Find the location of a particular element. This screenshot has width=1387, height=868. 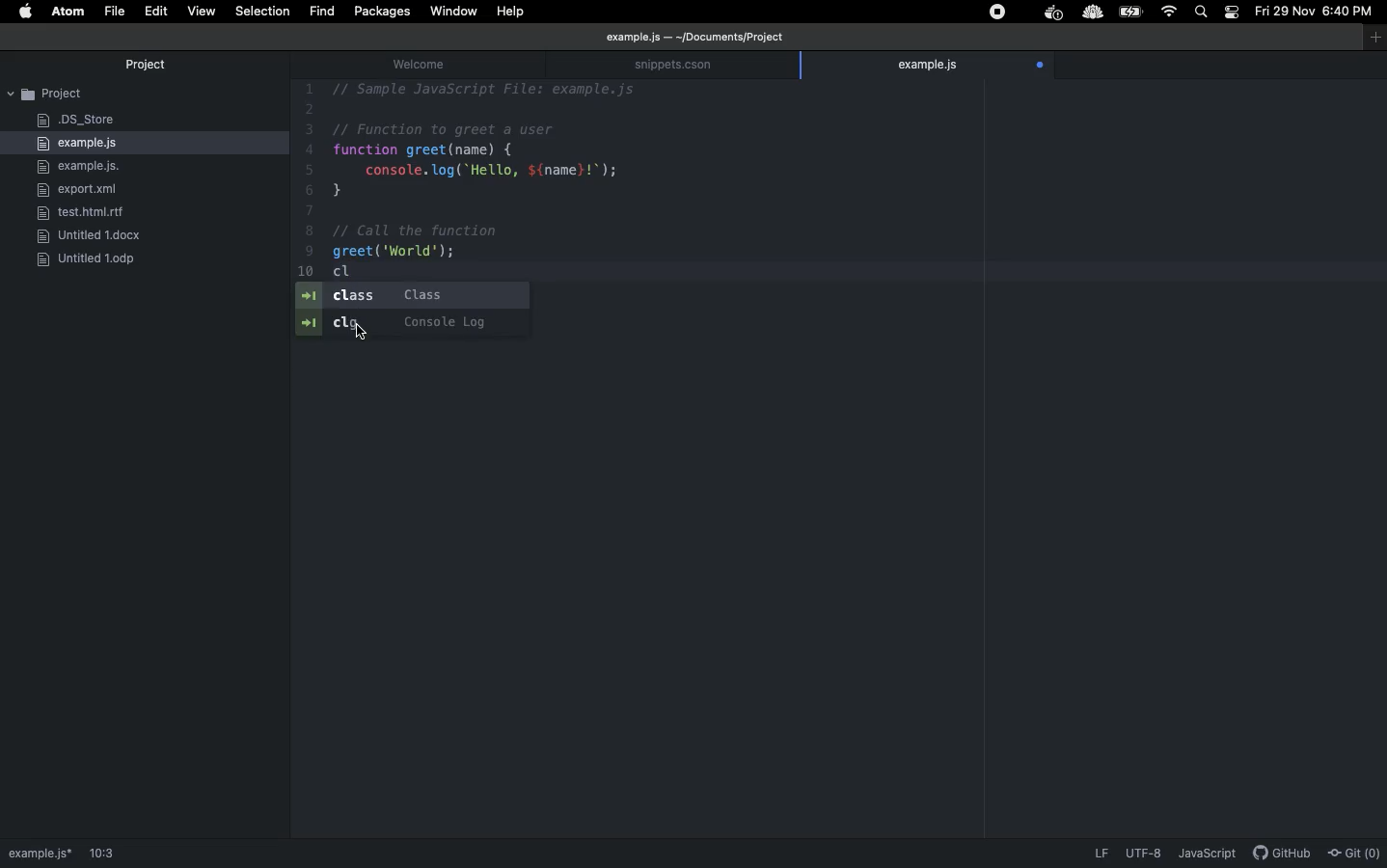

ATOM is located at coordinates (68, 12).